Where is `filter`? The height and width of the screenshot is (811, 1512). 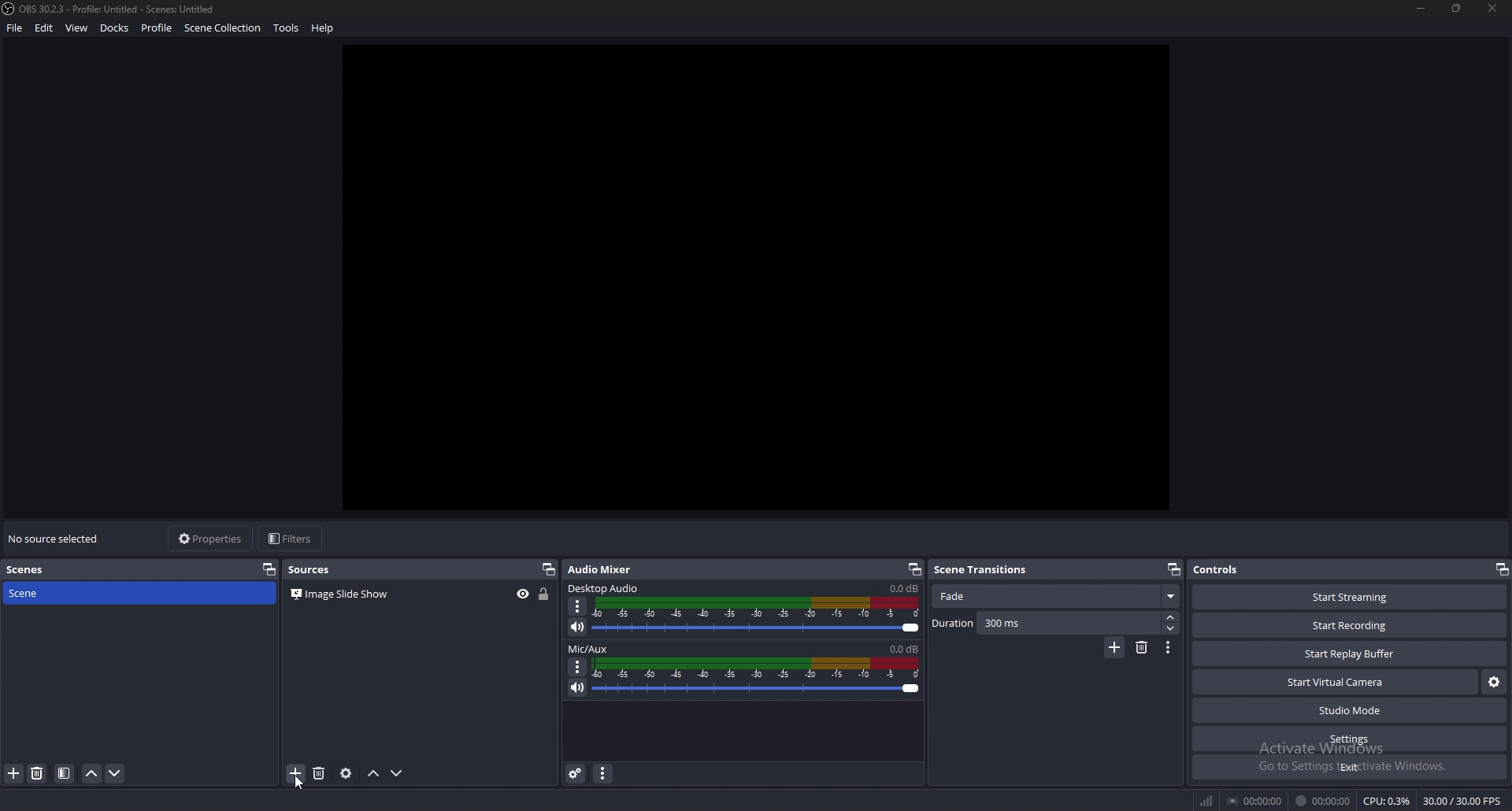 filter is located at coordinates (63, 773).